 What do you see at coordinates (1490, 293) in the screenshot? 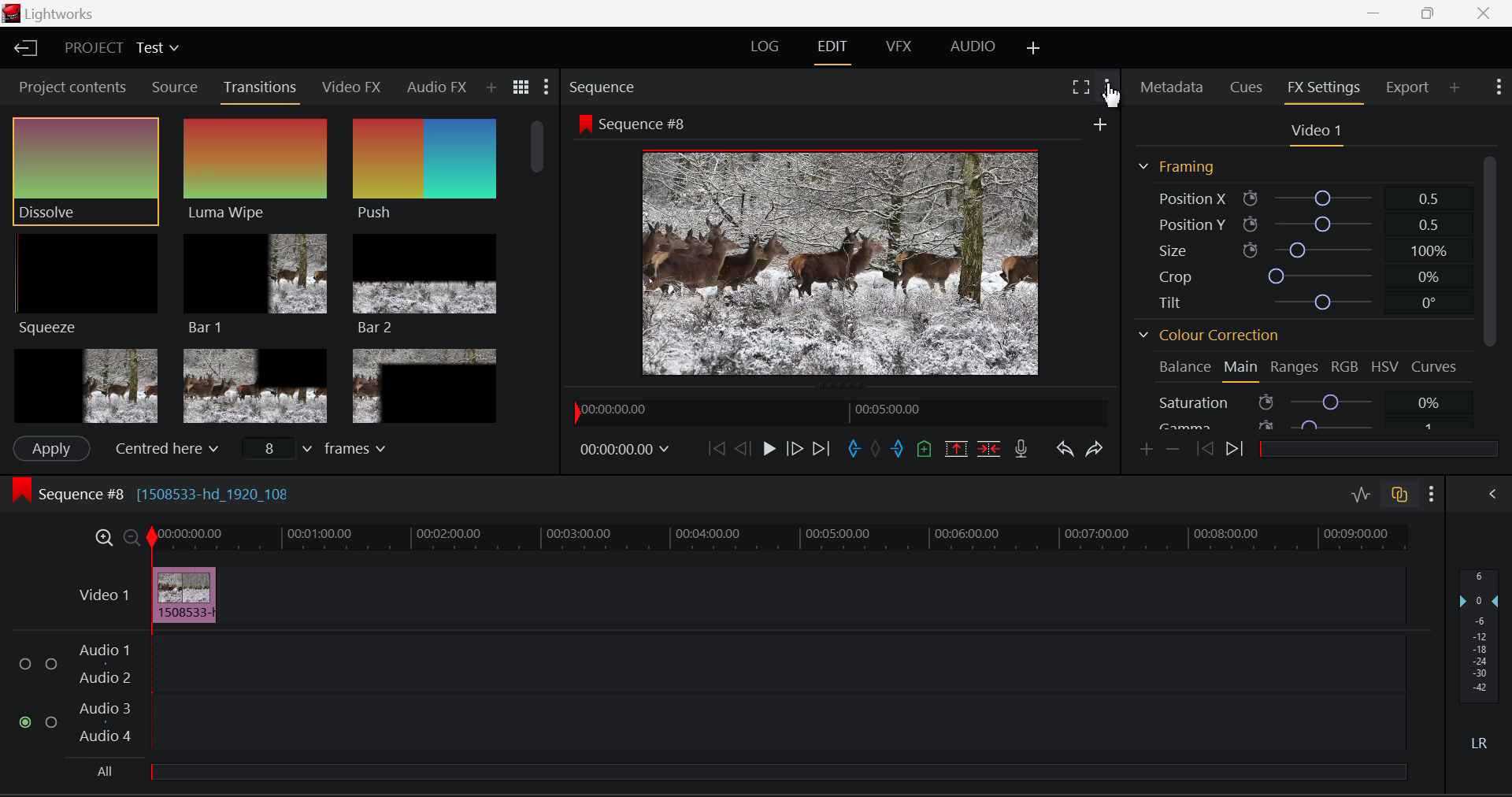
I see `Scroll Bar` at bounding box center [1490, 293].